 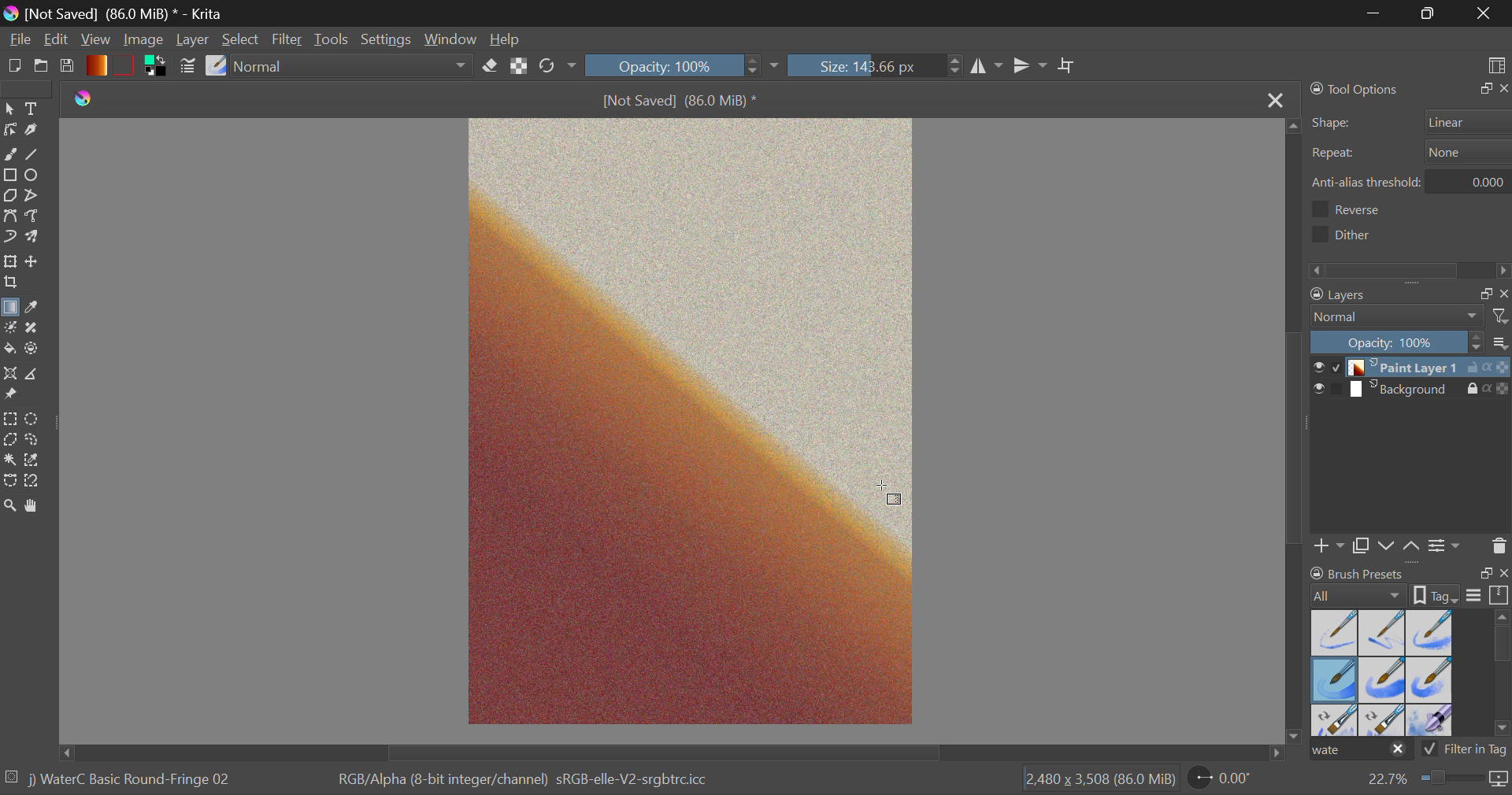 I want to click on anti-alias threshold , so click(x=1474, y=179).